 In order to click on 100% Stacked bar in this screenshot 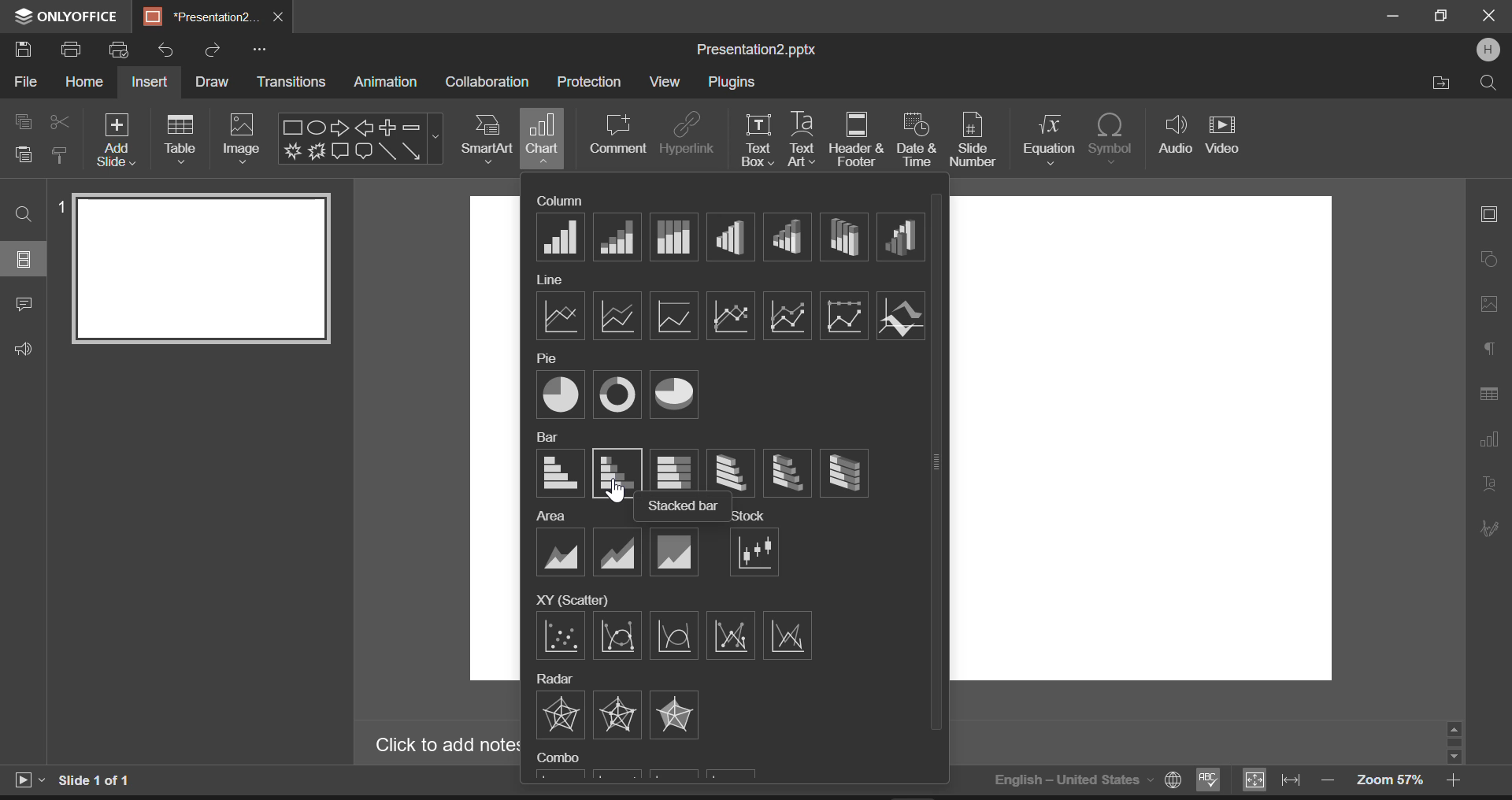, I will do `click(674, 468)`.